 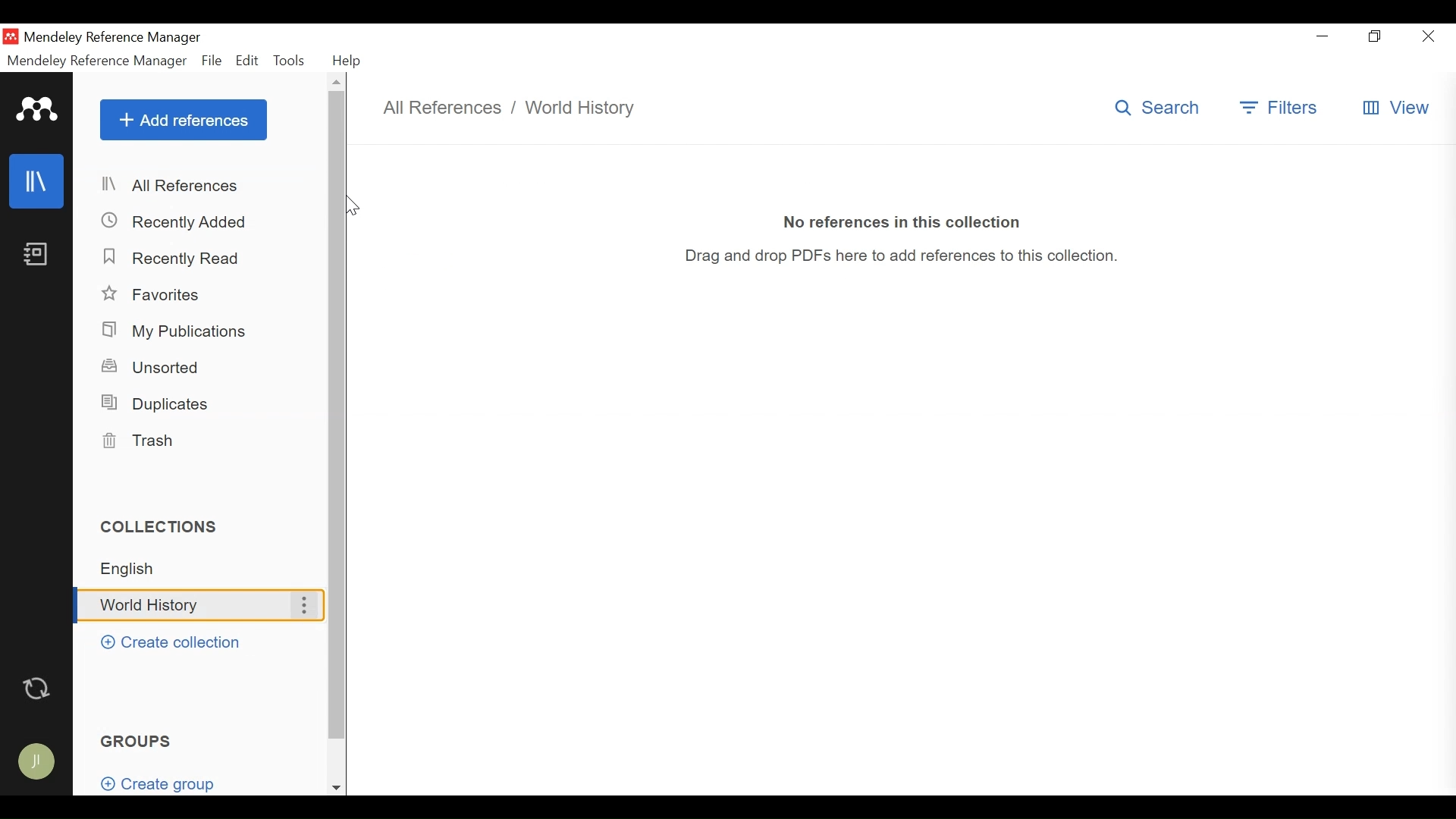 I want to click on Trash, so click(x=143, y=441).